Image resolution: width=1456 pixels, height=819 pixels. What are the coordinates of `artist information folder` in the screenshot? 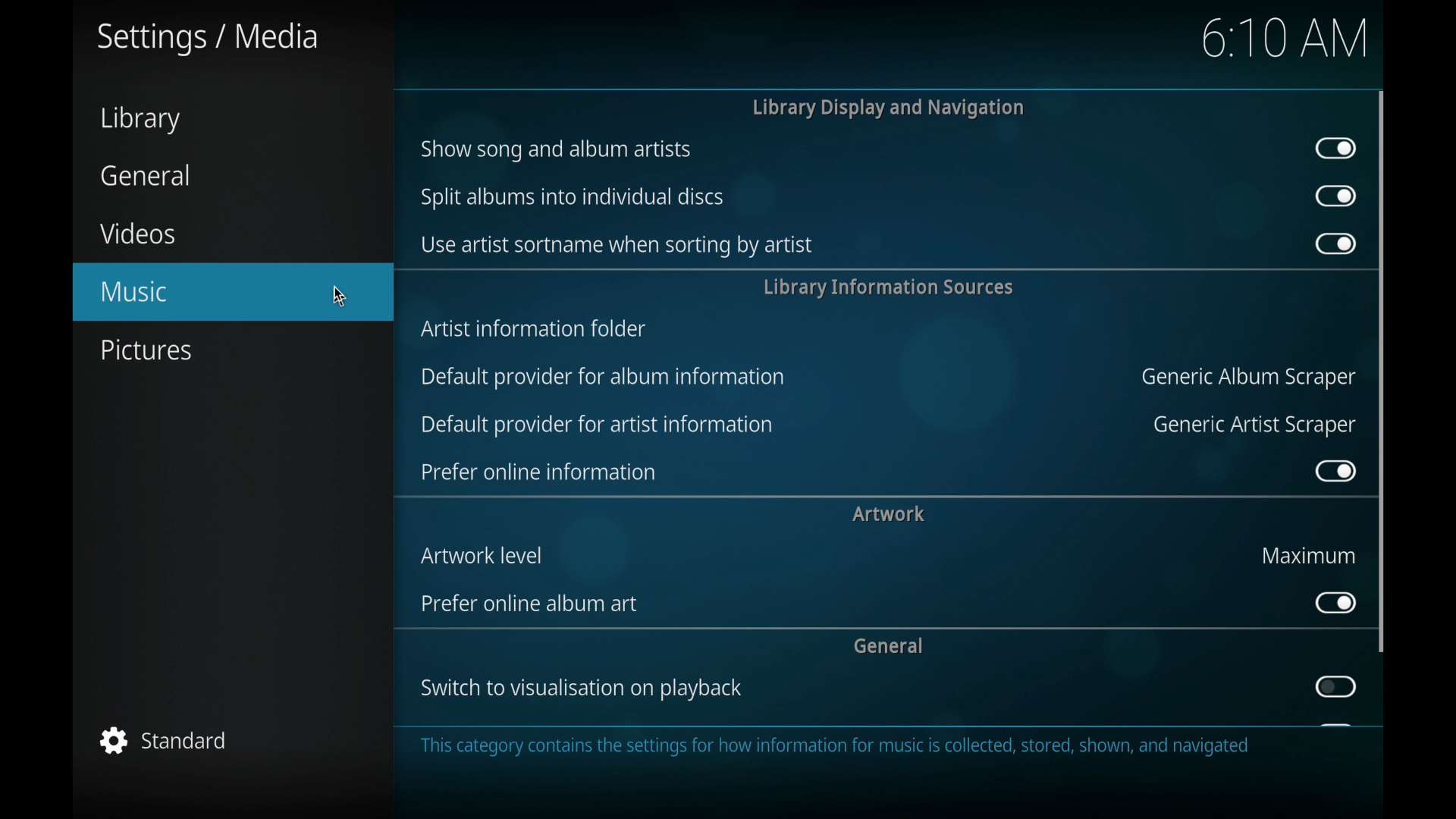 It's located at (535, 328).